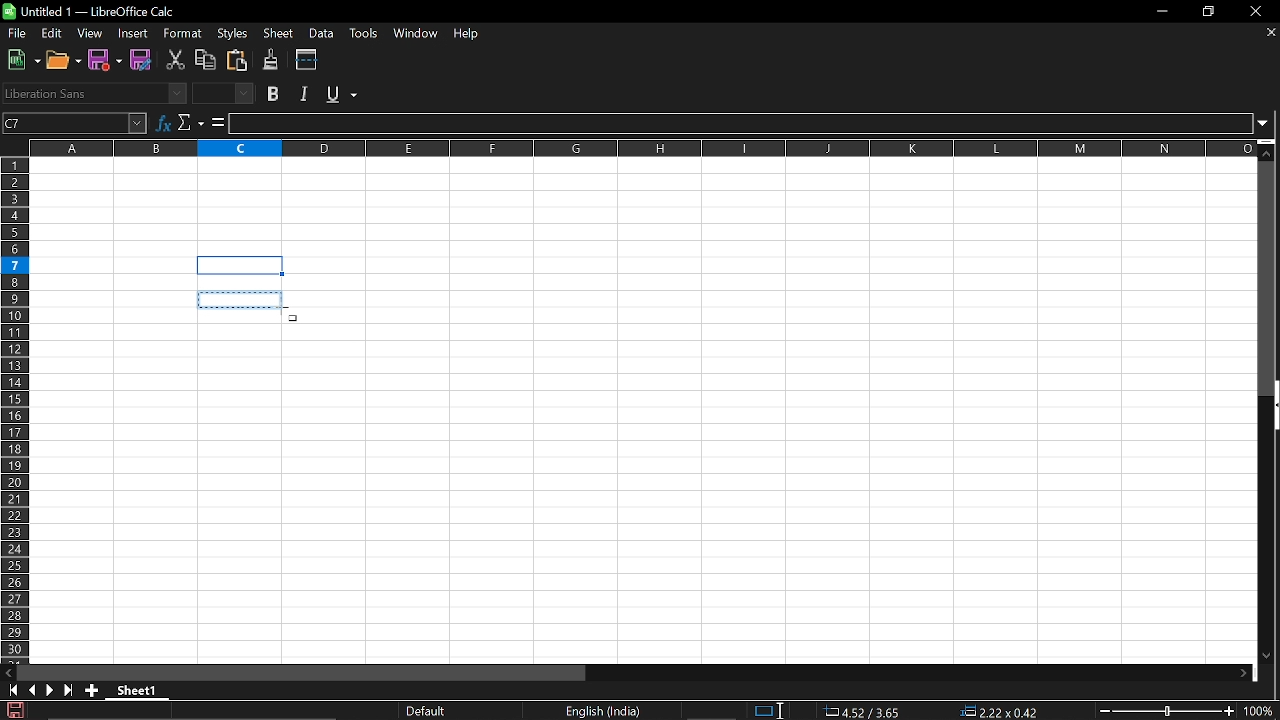 The height and width of the screenshot is (720, 1280). I want to click on Format, so click(179, 34).